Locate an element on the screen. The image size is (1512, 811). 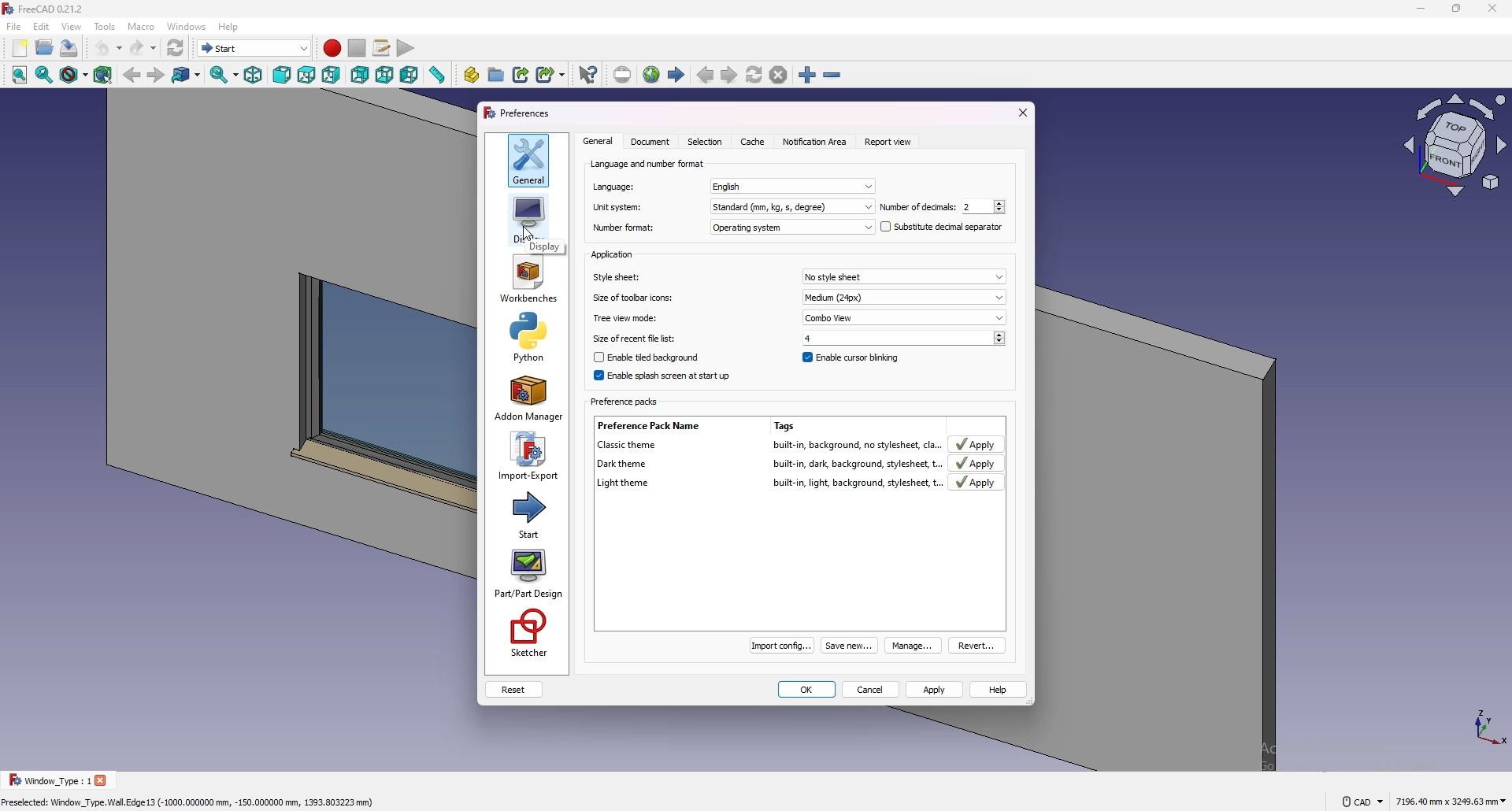
python is located at coordinates (526, 337).